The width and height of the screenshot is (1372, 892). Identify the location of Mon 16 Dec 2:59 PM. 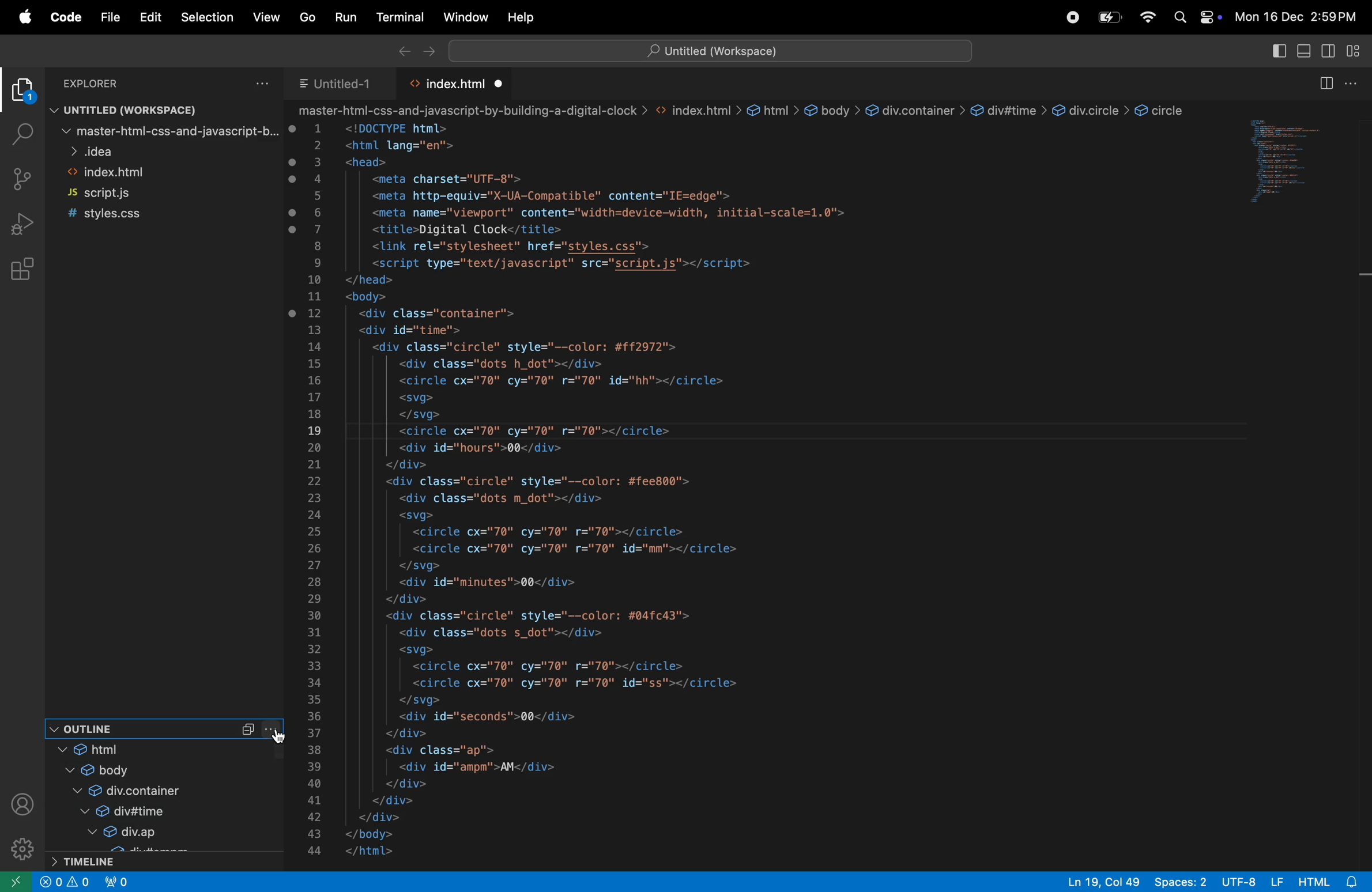
(1298, 18).